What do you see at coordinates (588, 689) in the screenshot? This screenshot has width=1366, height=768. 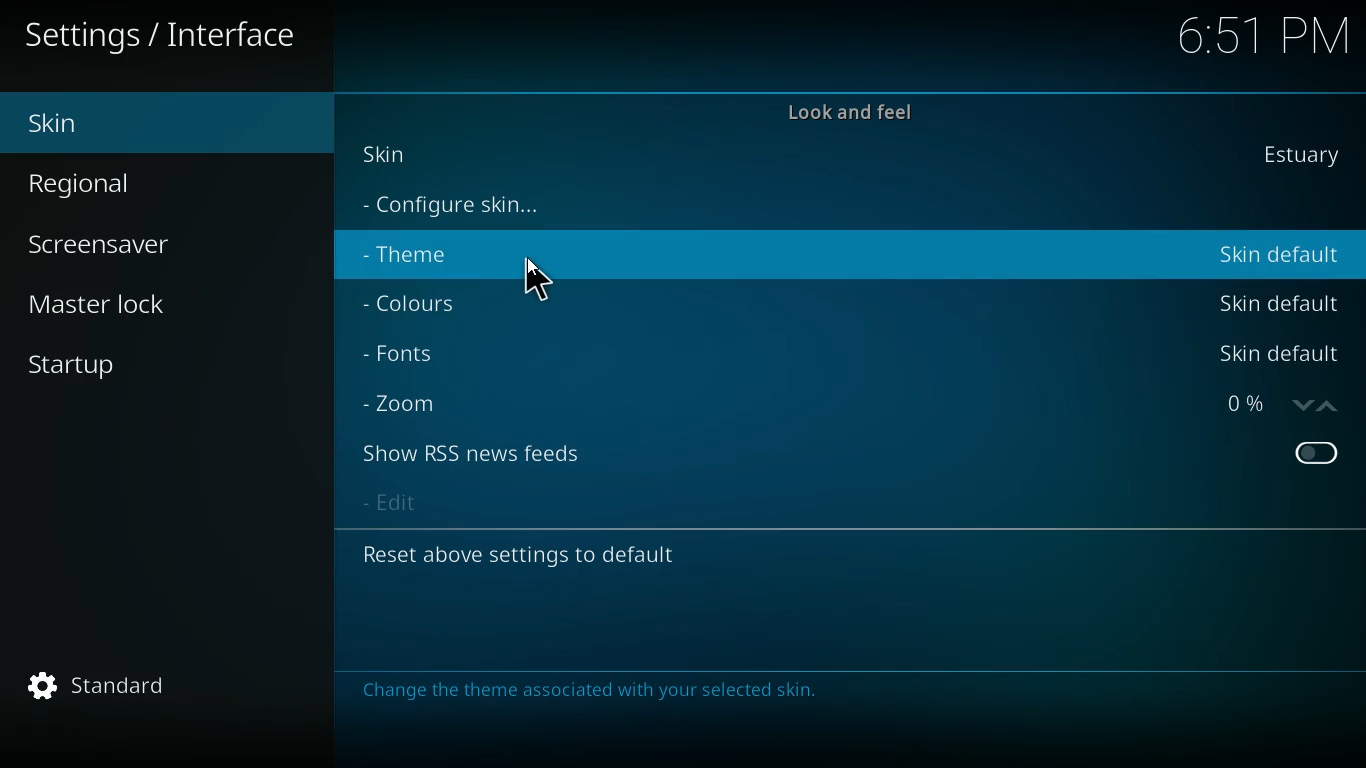 I see `message` at bounding box center [588, 689].